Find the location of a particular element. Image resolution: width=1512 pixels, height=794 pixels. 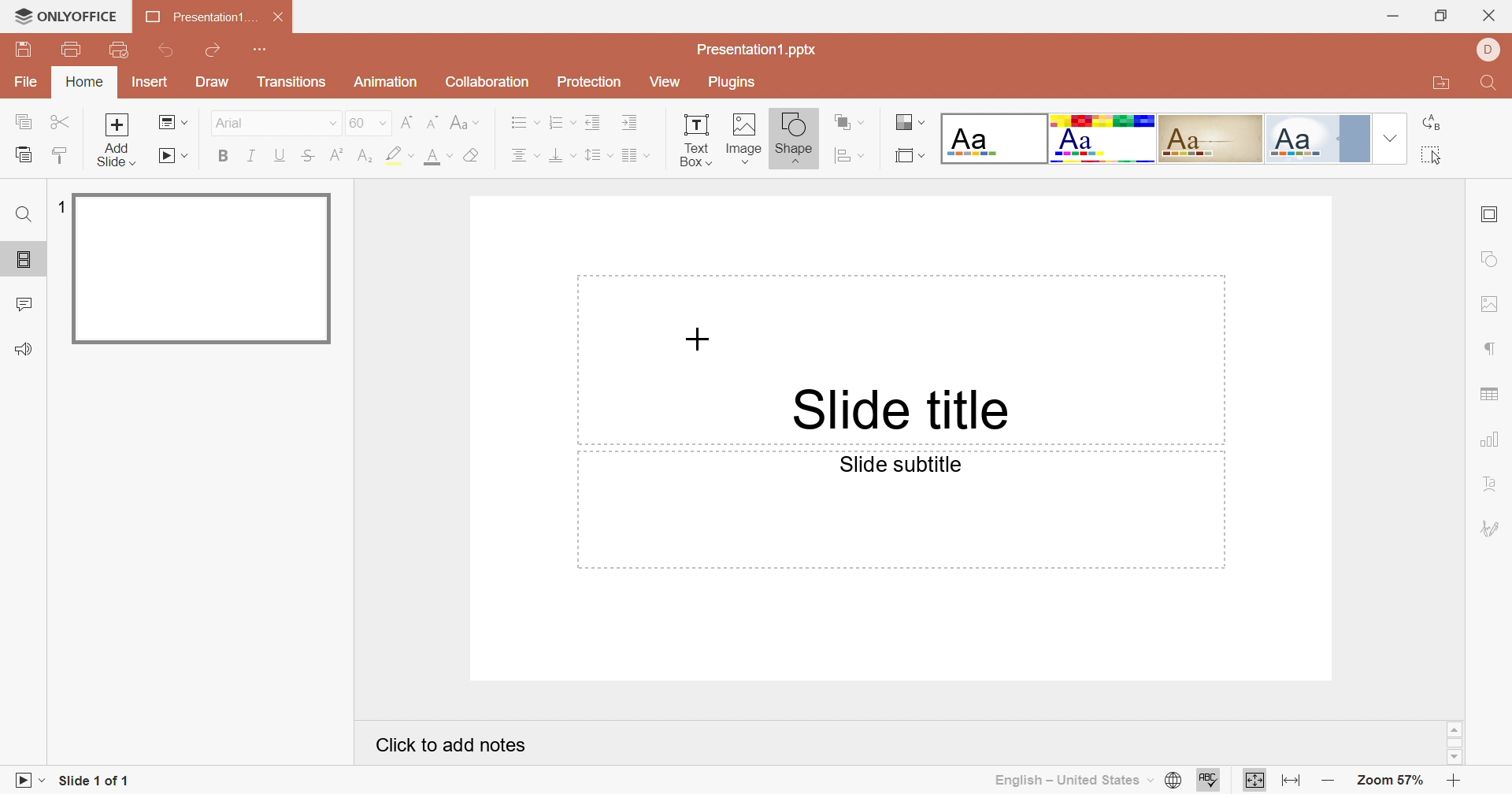

Zoom in is located at coordinates (1455, 782).